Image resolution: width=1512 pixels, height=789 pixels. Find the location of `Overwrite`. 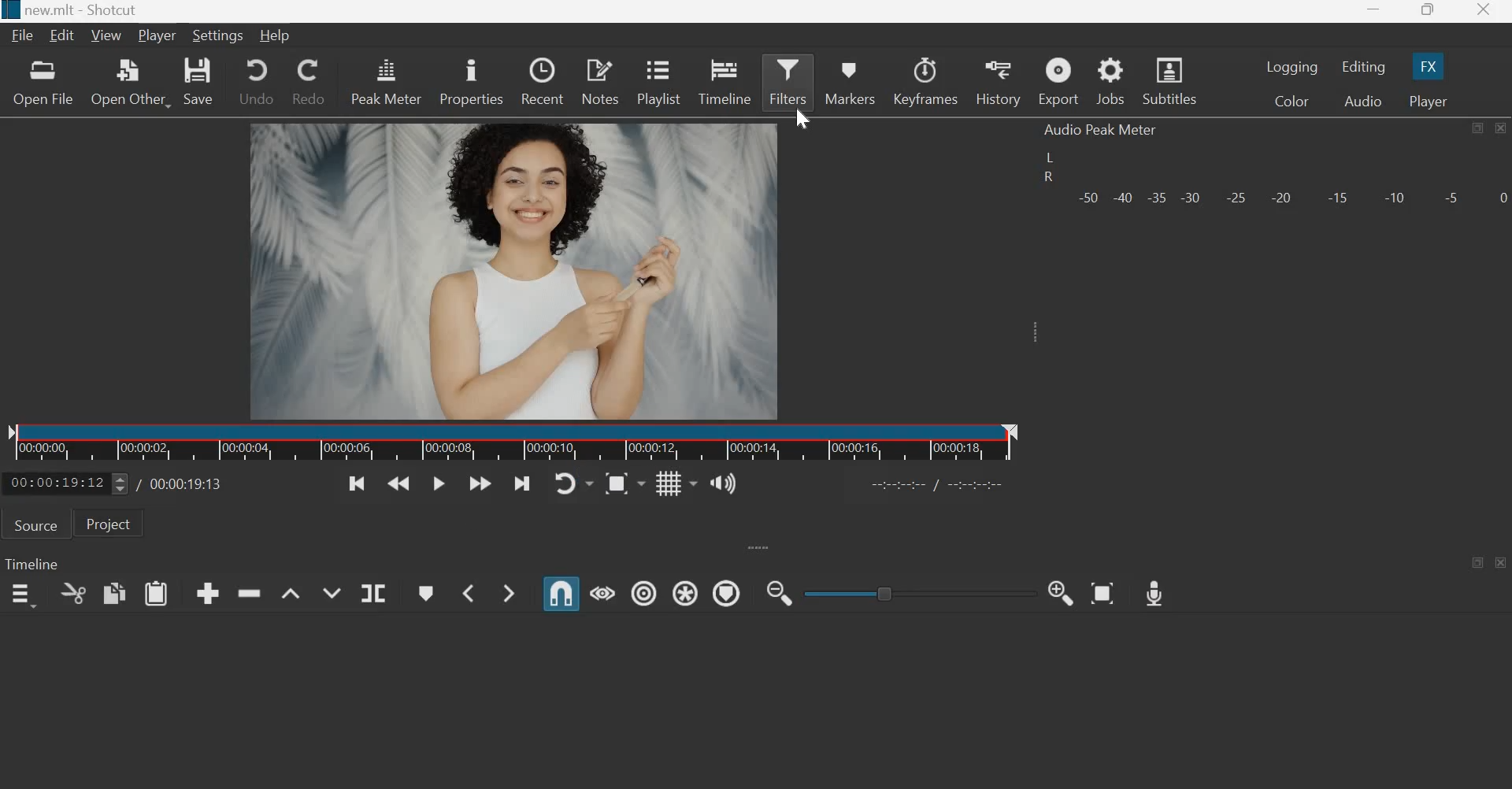

Overwrite is located at coordinates (329, 591).